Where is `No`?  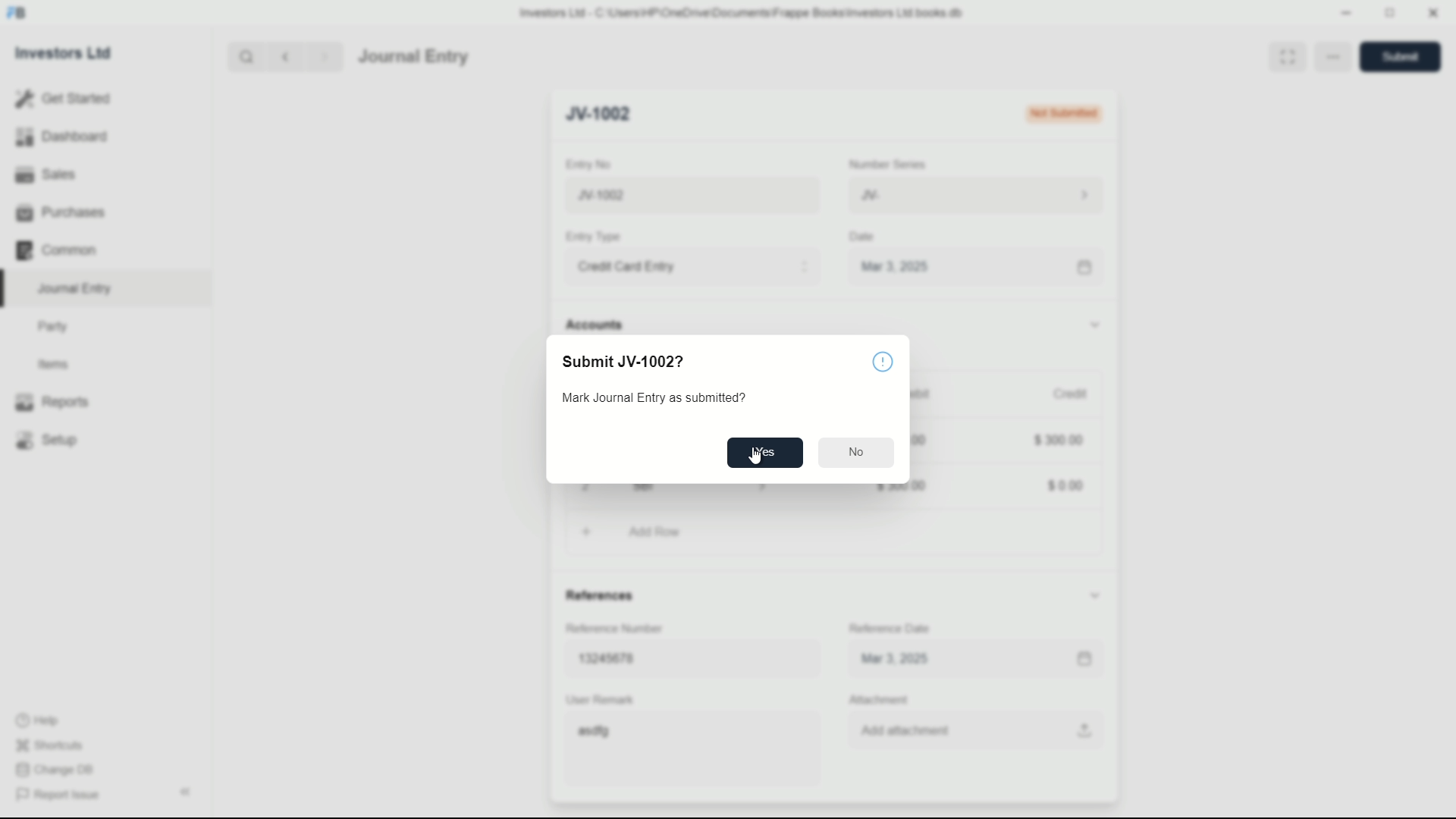 No is located at coordinates (858, 453).